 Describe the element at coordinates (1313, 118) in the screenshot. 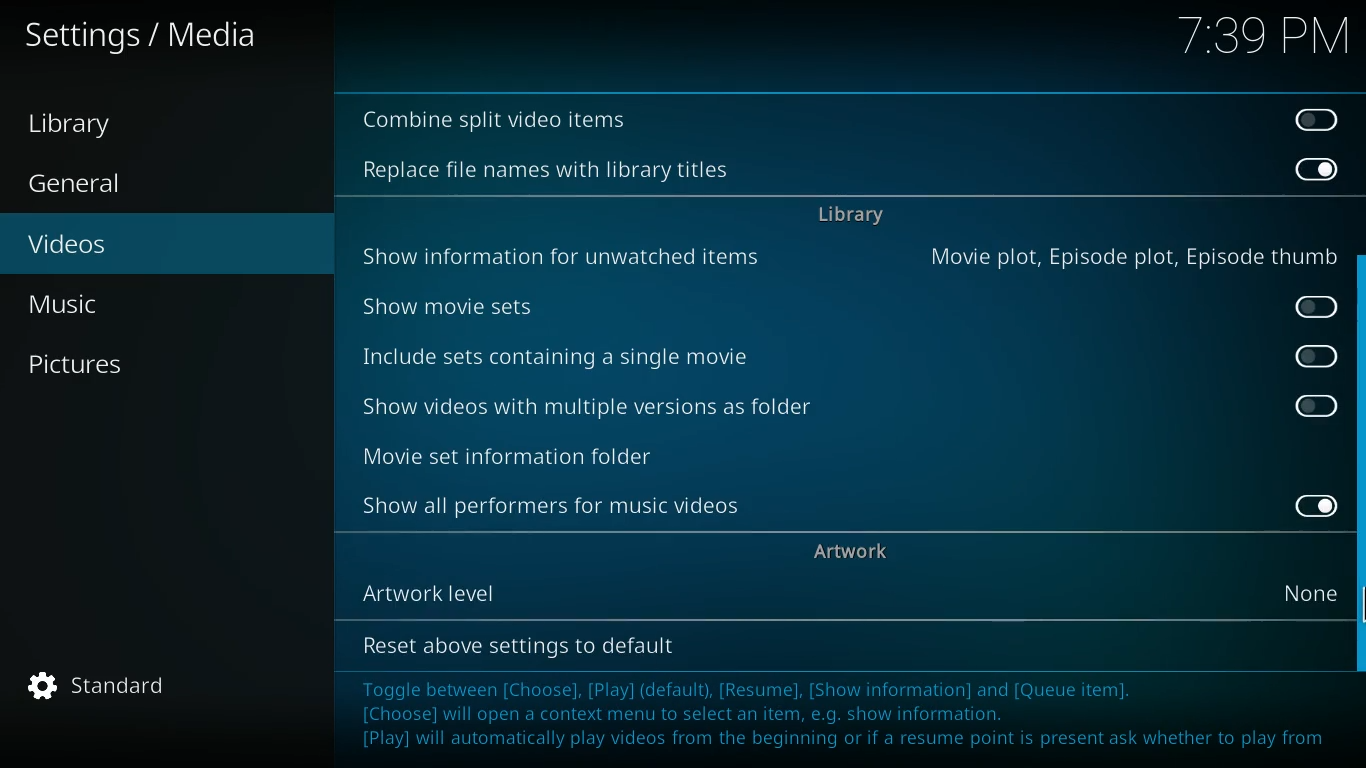

I see `off` at that location.